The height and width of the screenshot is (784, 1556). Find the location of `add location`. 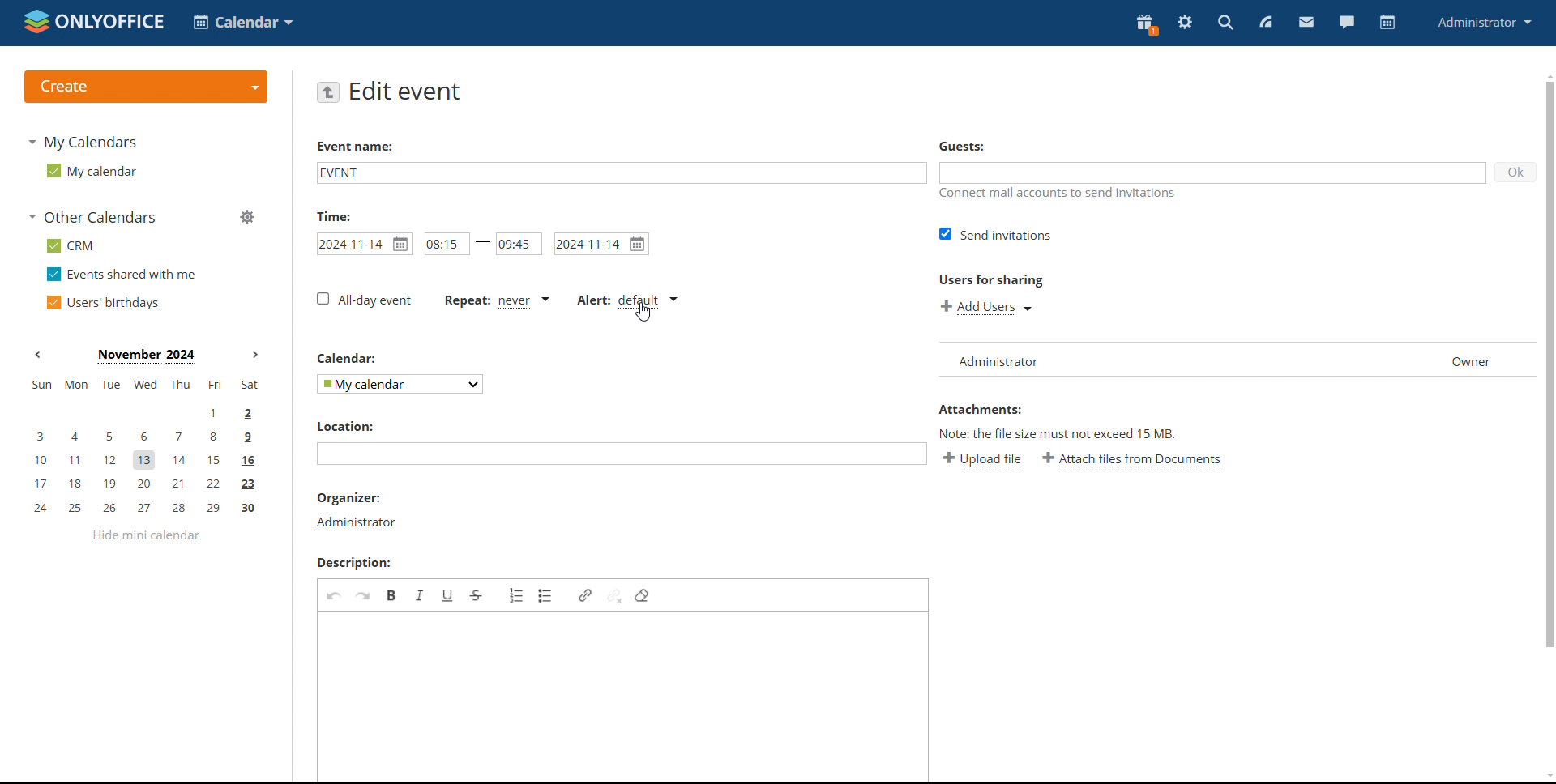

add location is located at coordinates (622, 454).